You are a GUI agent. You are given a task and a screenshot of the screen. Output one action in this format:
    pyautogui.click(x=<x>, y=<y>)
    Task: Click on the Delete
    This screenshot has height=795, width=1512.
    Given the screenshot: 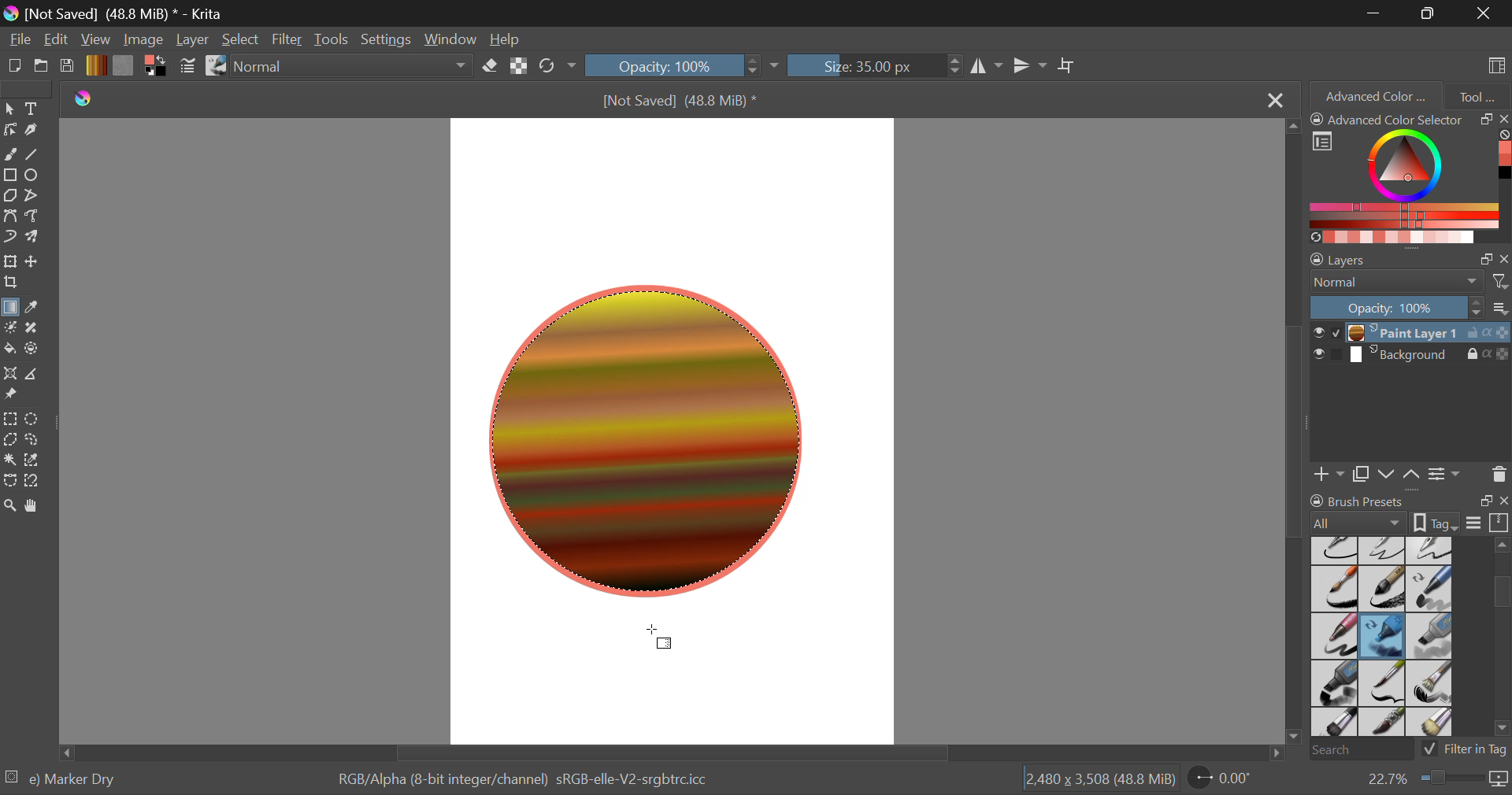 What is the action you would take?
    pyautogui.click(x=1499, y=474)
    